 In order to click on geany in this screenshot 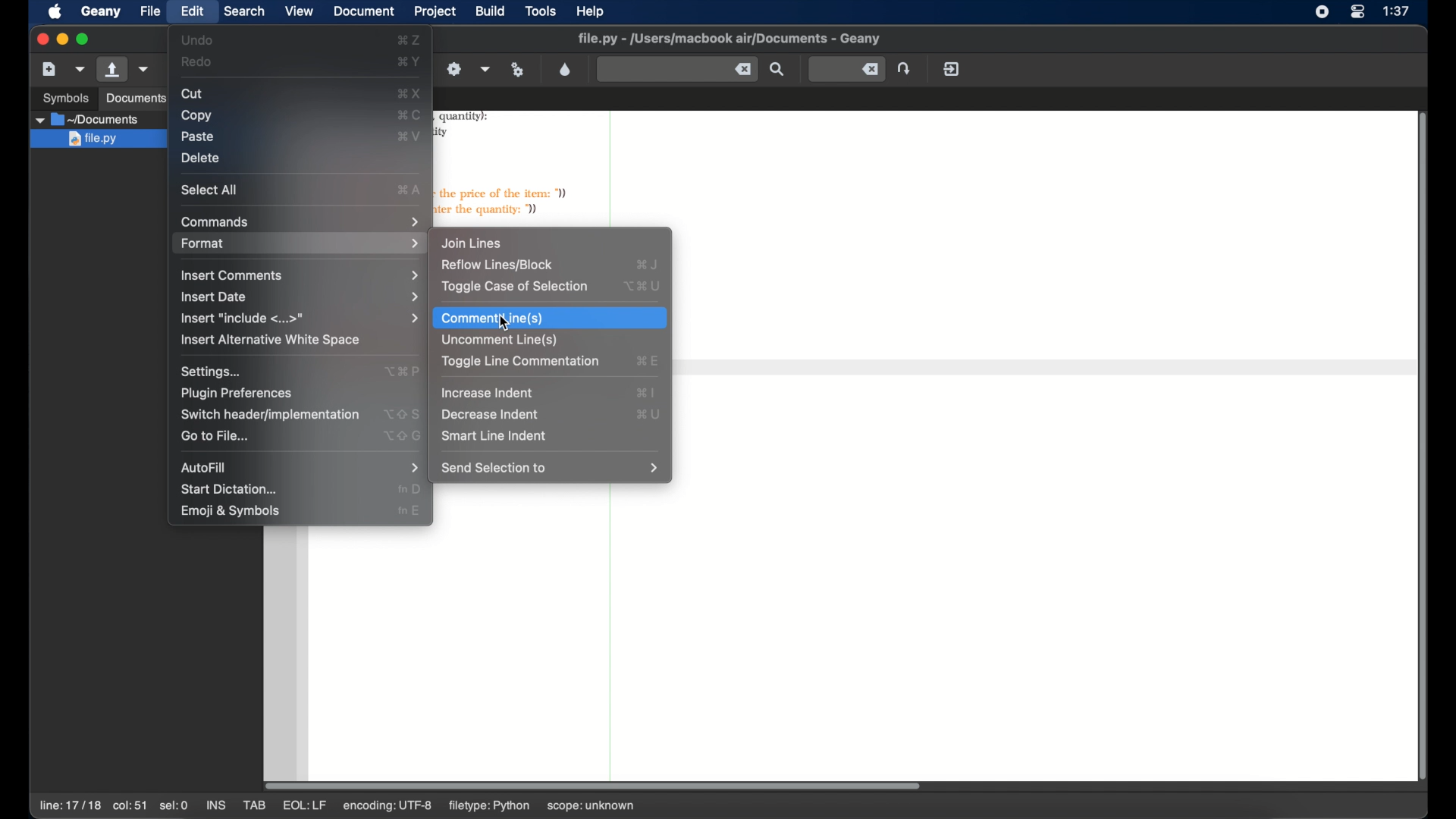, I will do `click(100, 11)`.